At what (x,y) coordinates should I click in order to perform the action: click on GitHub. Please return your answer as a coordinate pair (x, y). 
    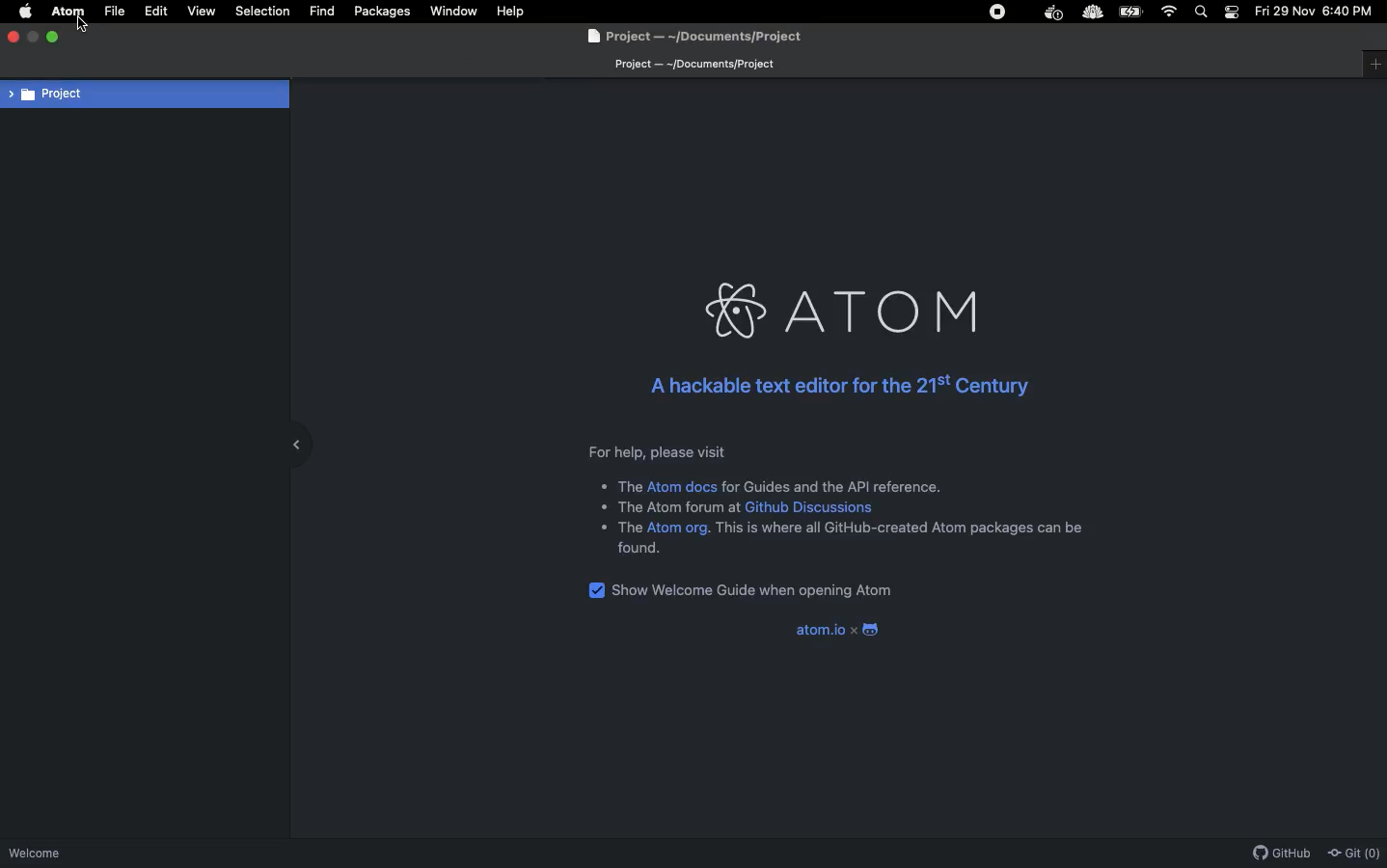
    Looking at the image, I should click on (1280, 854).